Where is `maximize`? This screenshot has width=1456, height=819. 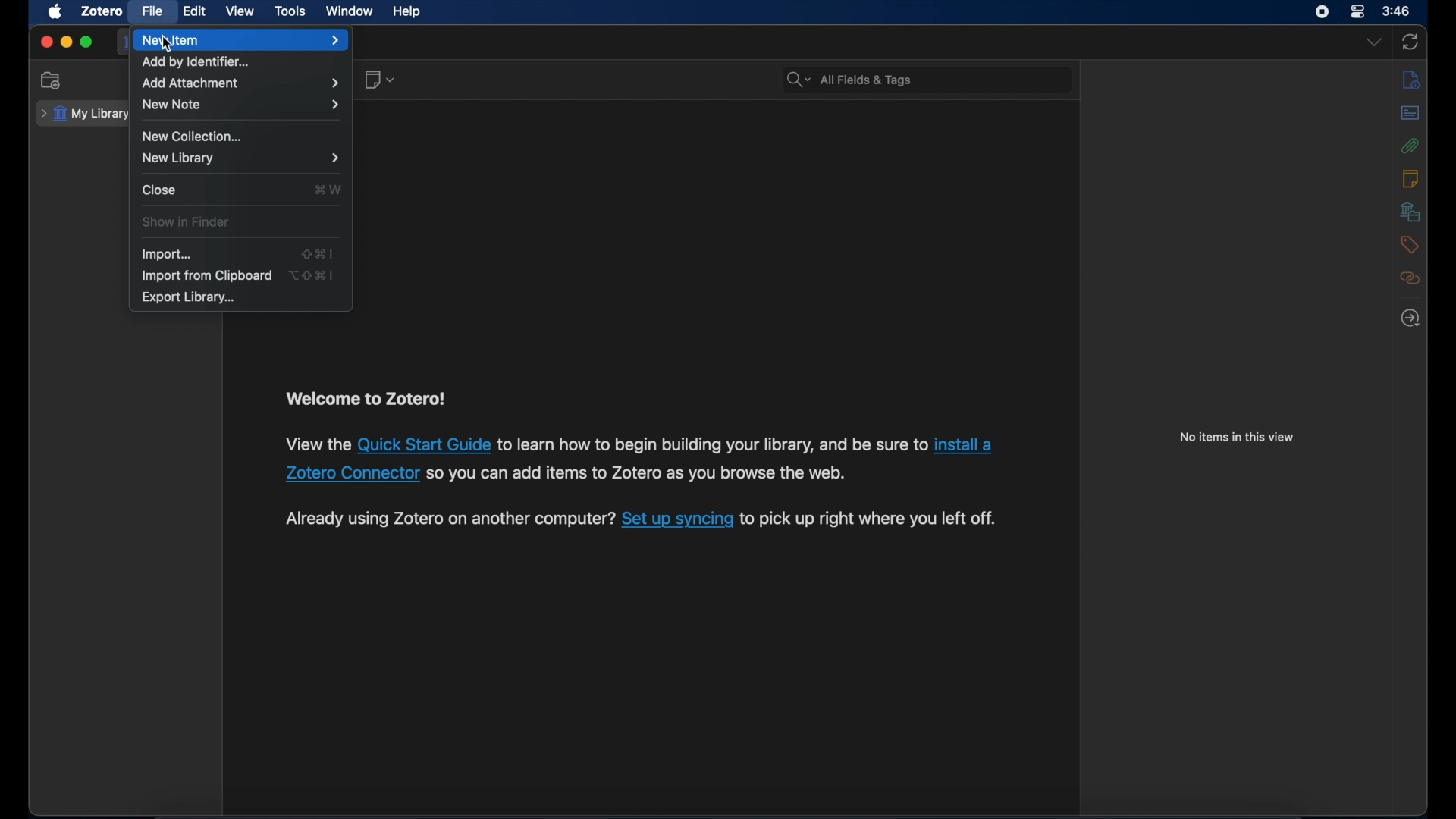 maximize is located at coordinates (86, 42).